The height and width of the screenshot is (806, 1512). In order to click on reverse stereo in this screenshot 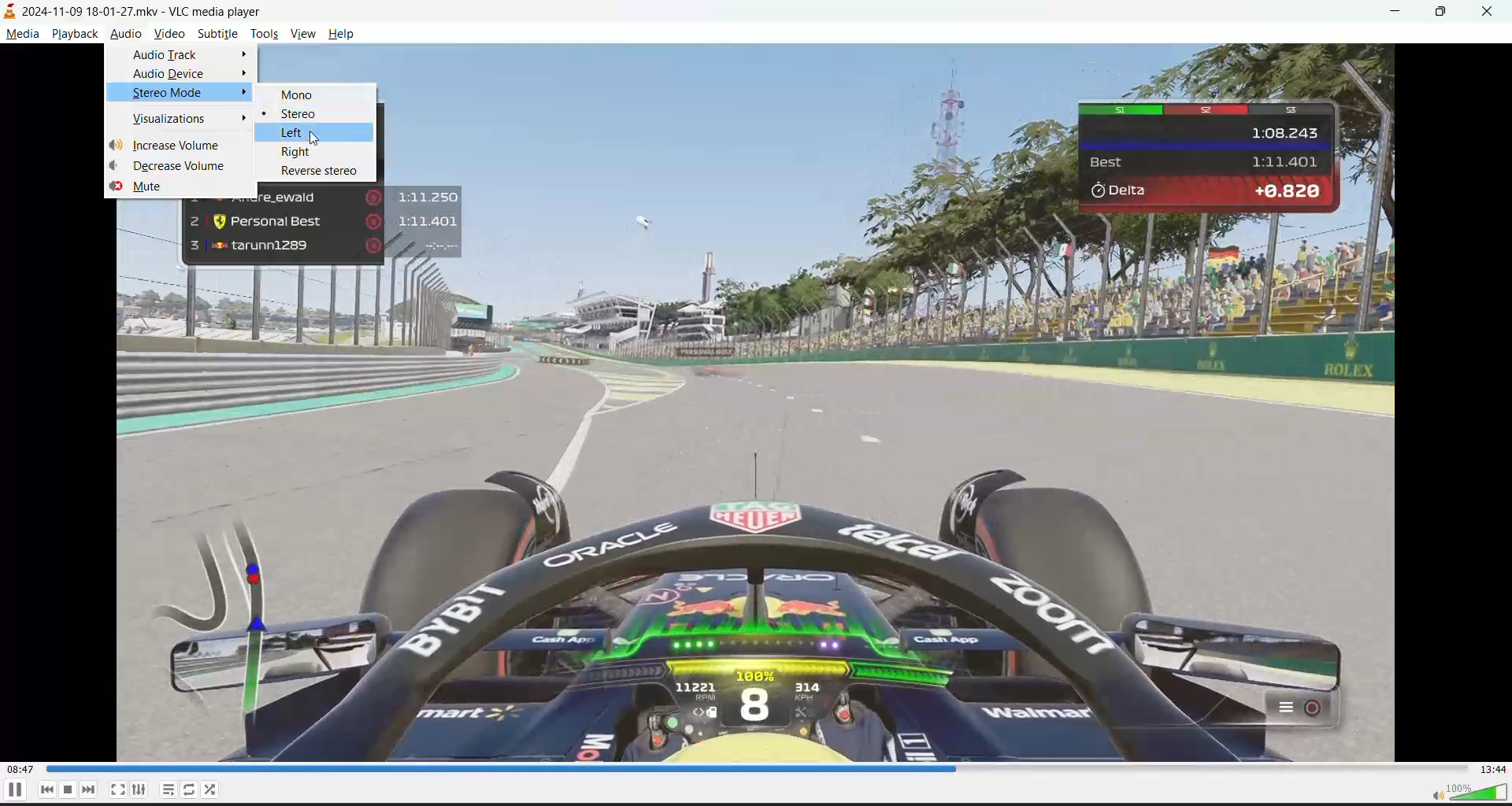, I will do `click(320, 171)`.